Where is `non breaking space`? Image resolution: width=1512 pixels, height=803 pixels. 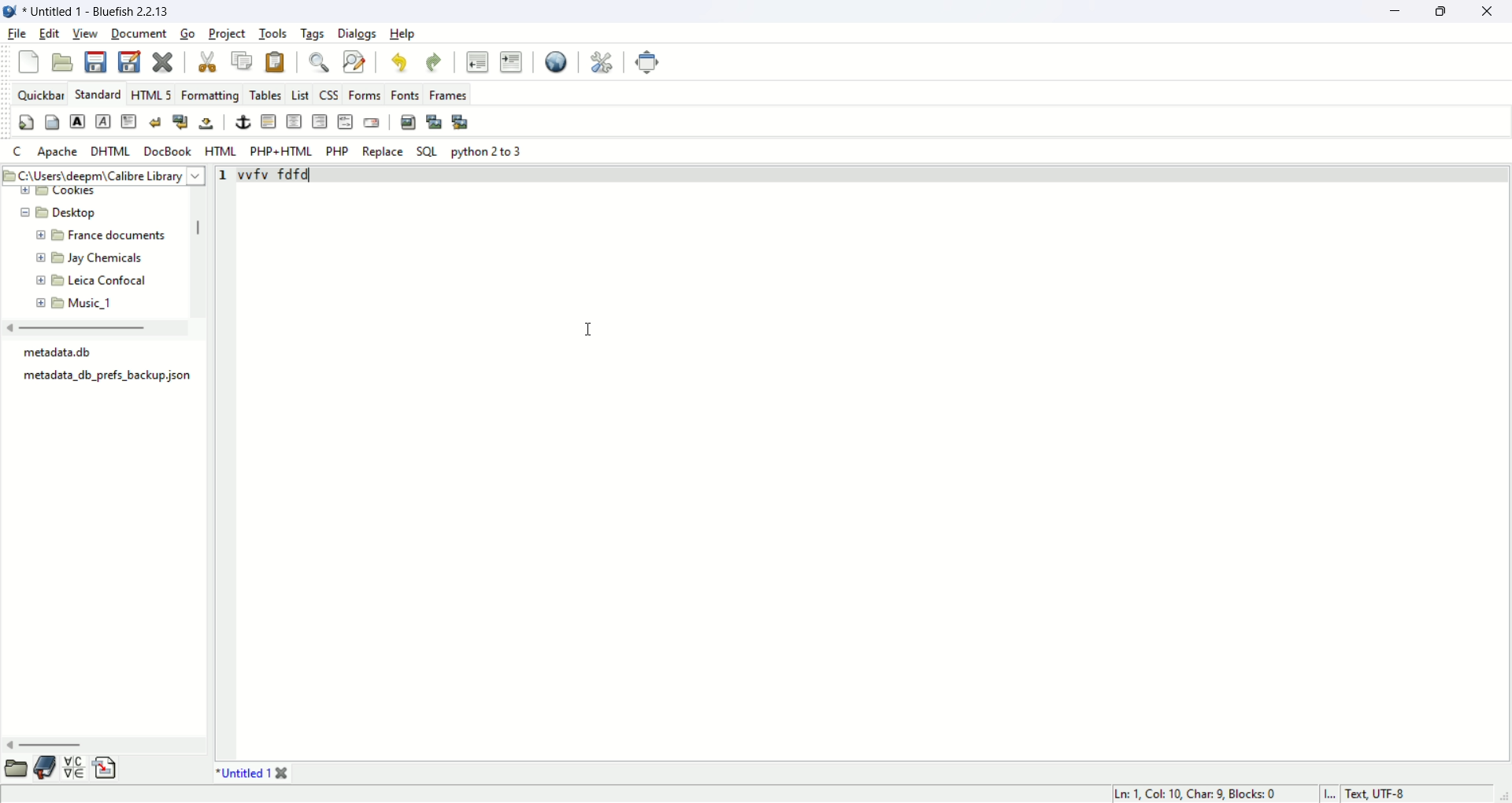
non breaking space is located at coordinates (208, 124).